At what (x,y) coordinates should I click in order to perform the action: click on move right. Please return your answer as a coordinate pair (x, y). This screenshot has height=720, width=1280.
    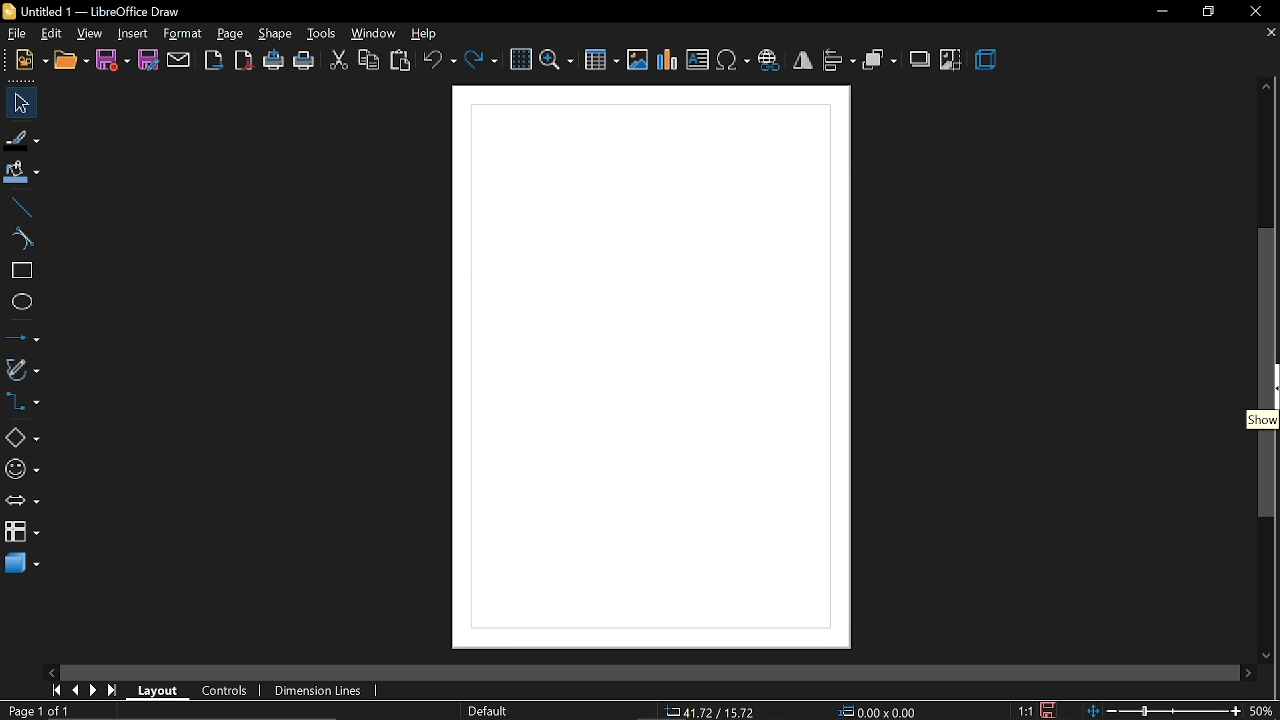
    Looking at the image, I should click on (1250, 674).